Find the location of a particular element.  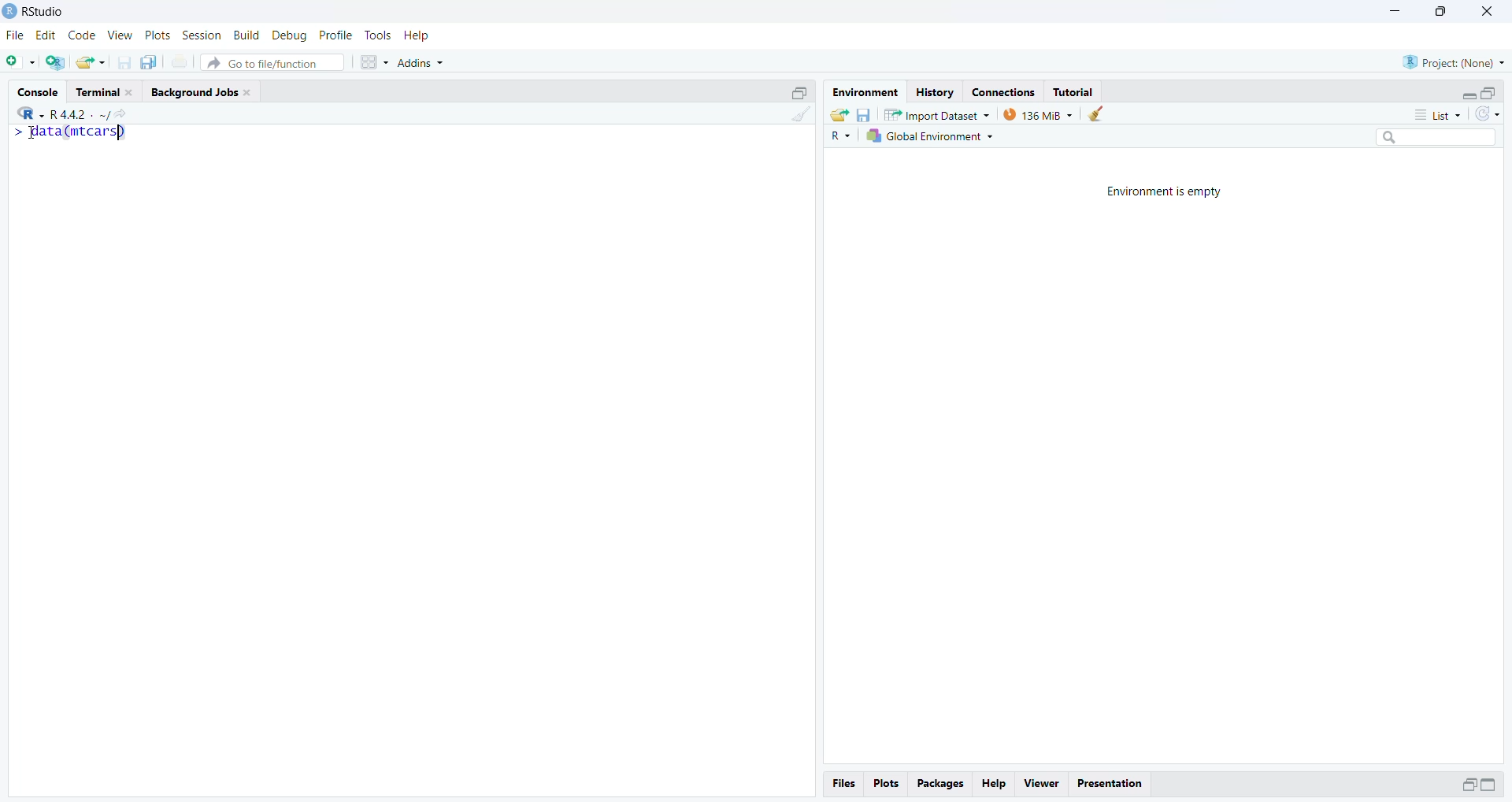

Console is located at coordinates (40, 91).